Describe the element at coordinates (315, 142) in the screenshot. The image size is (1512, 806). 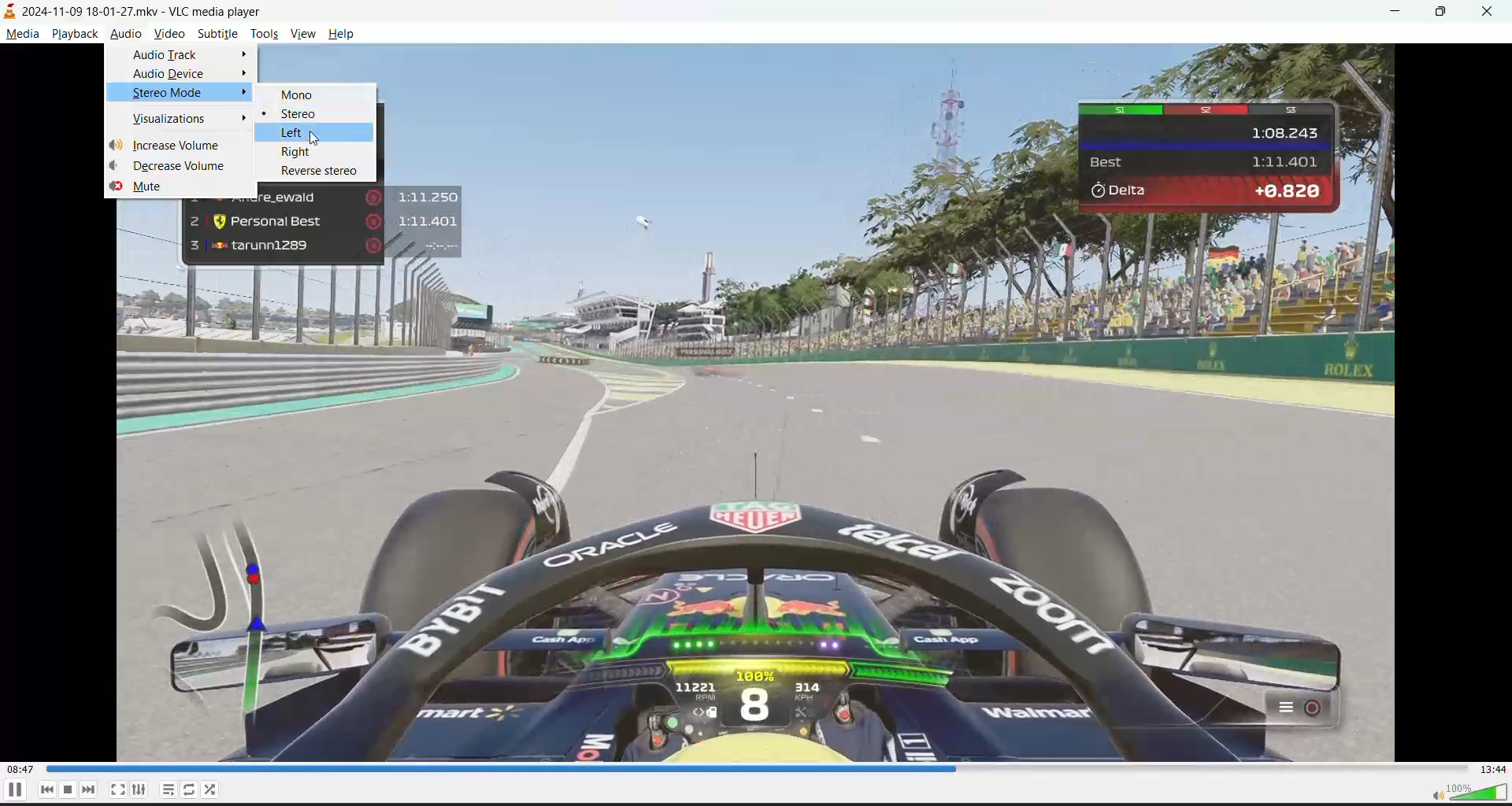
I see `cursor` at that location.